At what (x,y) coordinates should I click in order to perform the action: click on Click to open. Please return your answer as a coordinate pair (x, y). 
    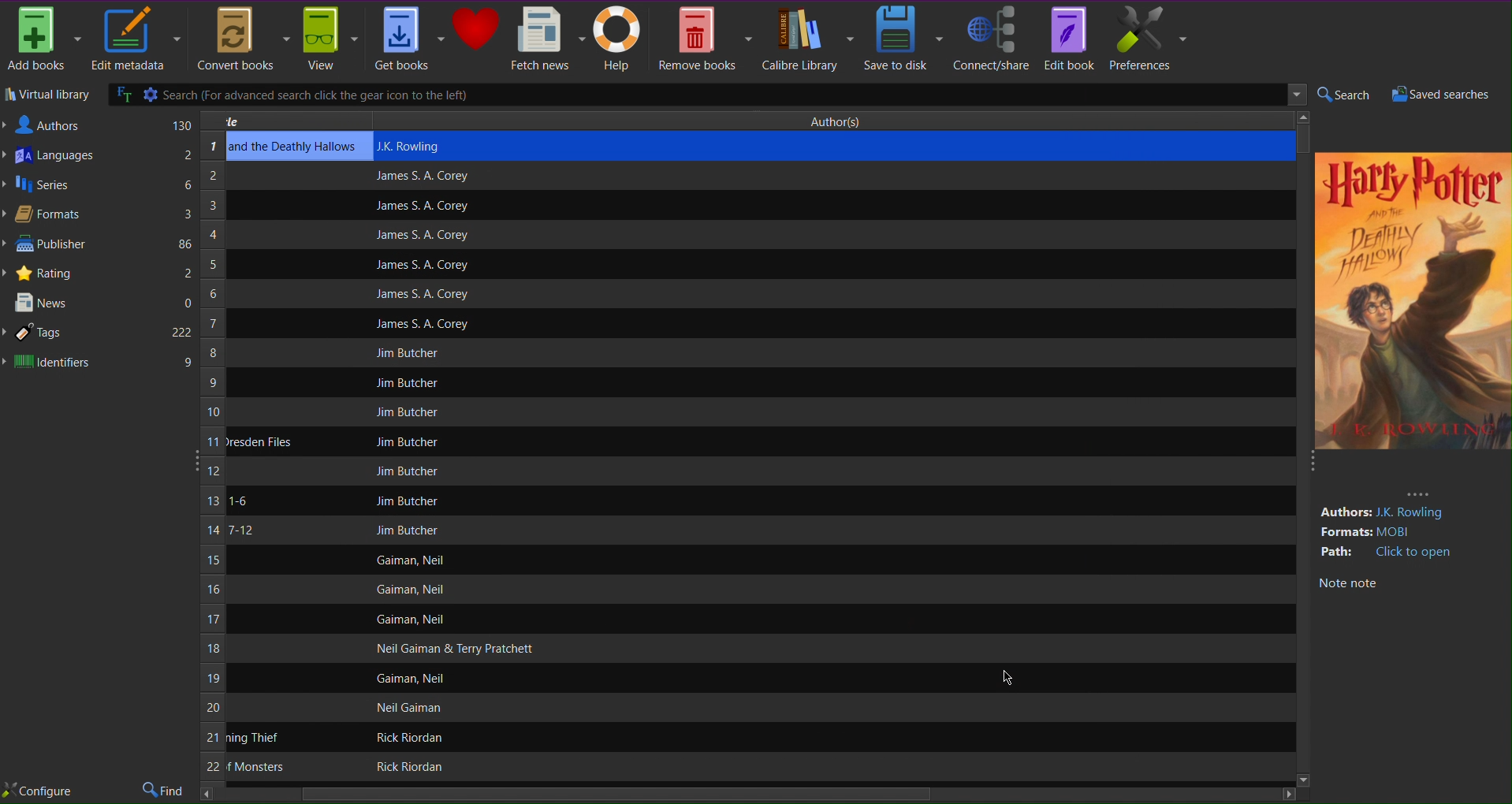
    Looking at the image, I should click on (1415, 553).